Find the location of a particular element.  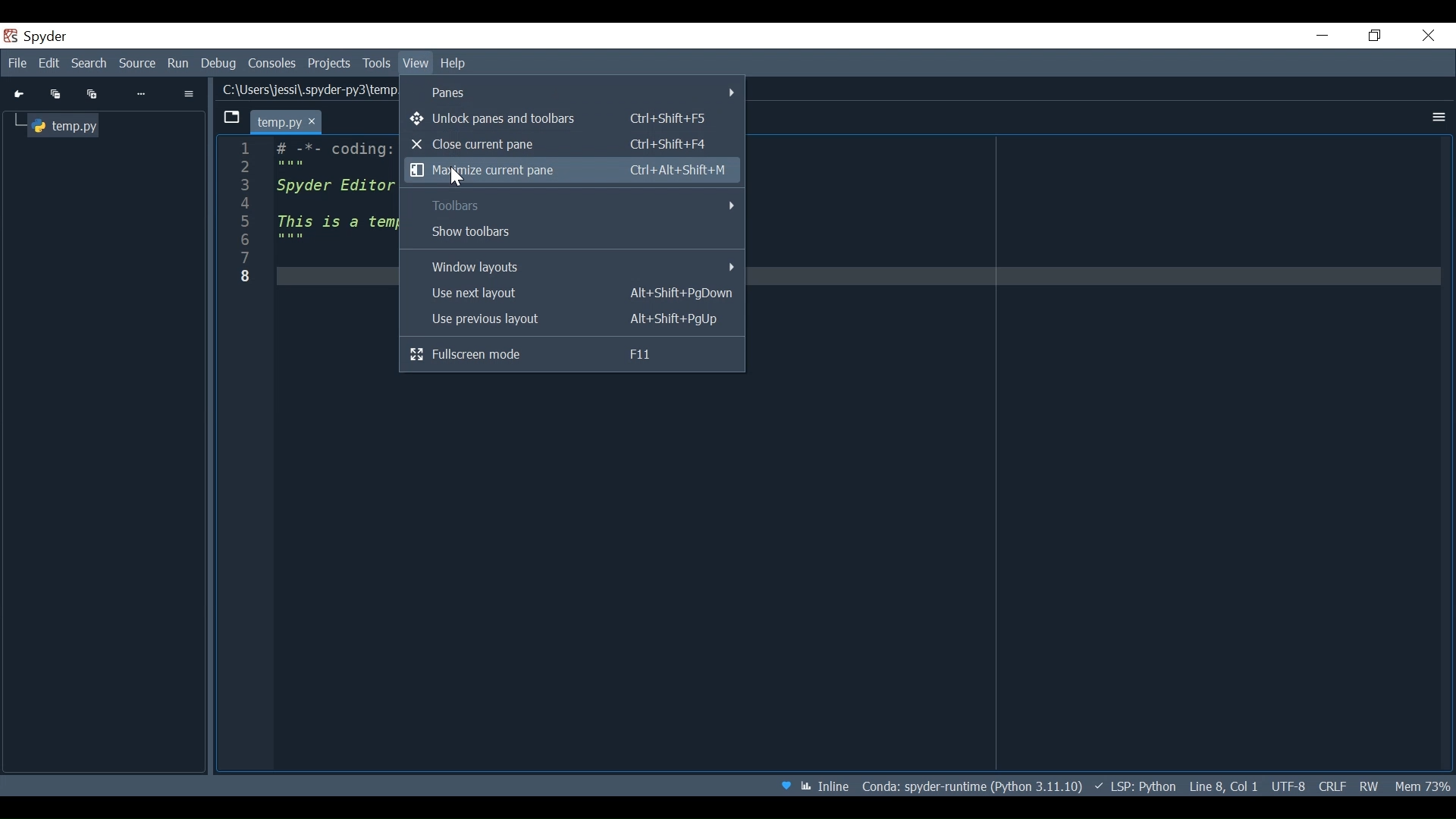

Minimize is located at coordinates (1322, 35).